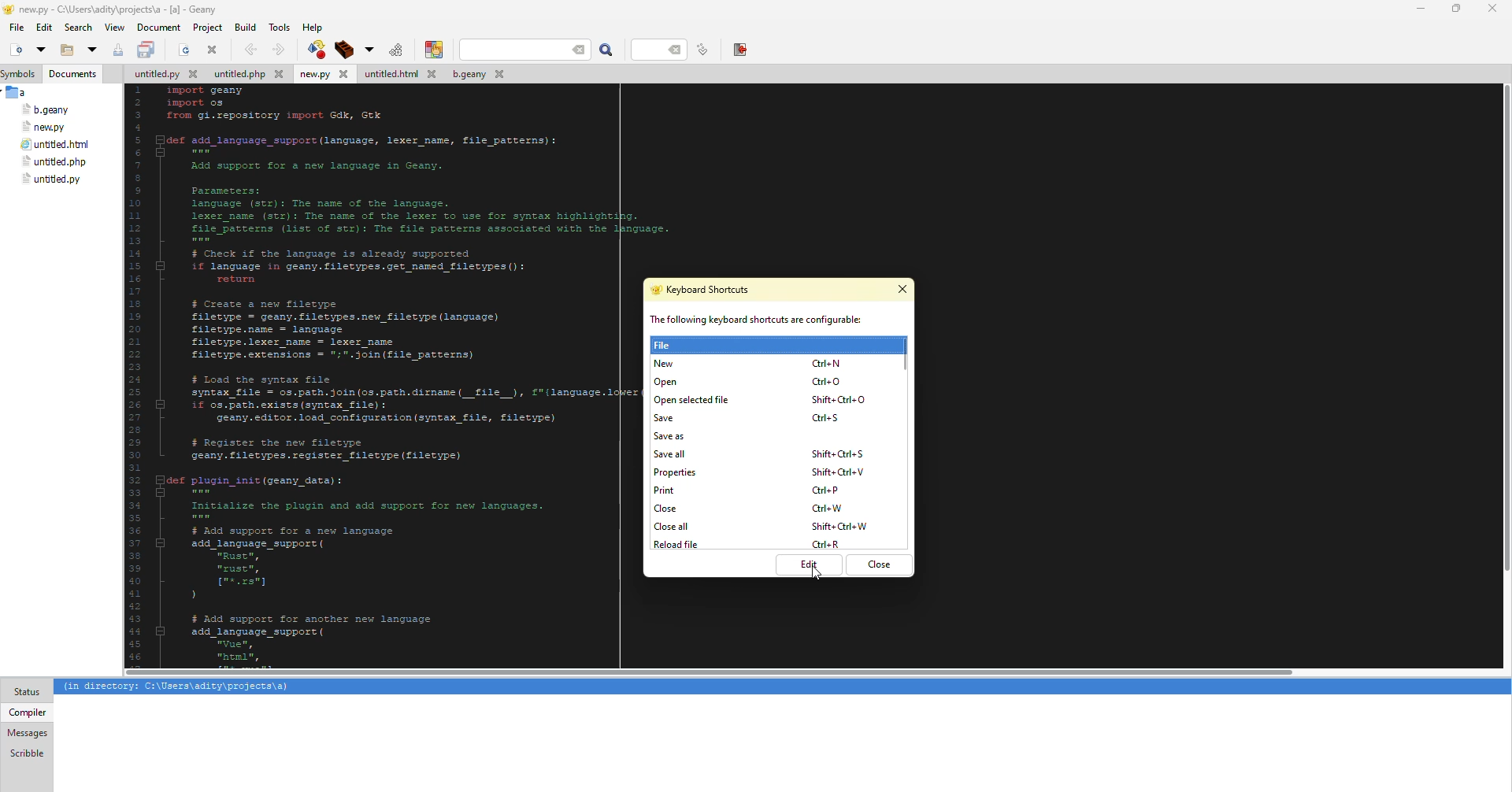 This screenshot has width=1512, height=792. Describe the element at coordinates (313, 27) in the screenshot. I see `help` at that location.